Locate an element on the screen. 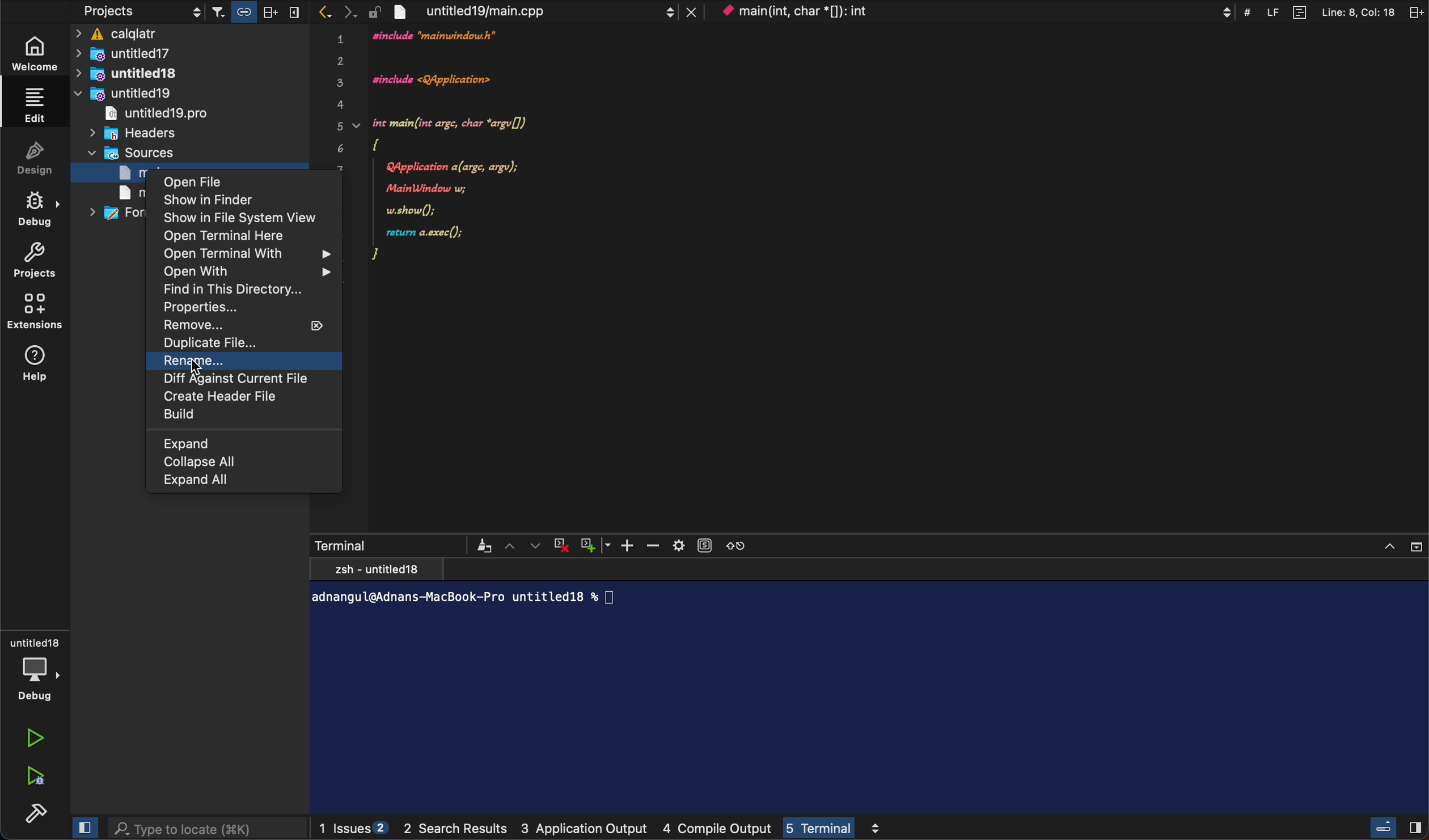  untitled19 is located at coordinates (122, 93).